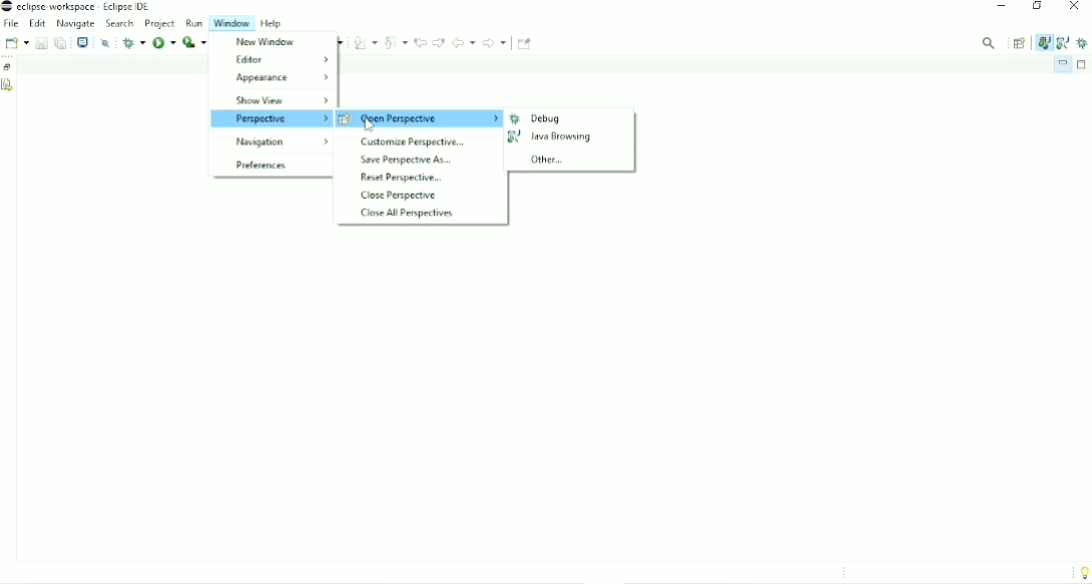 The width and height of the screenshot is (1092, 584). I want to click on Back, so click(463, 42).